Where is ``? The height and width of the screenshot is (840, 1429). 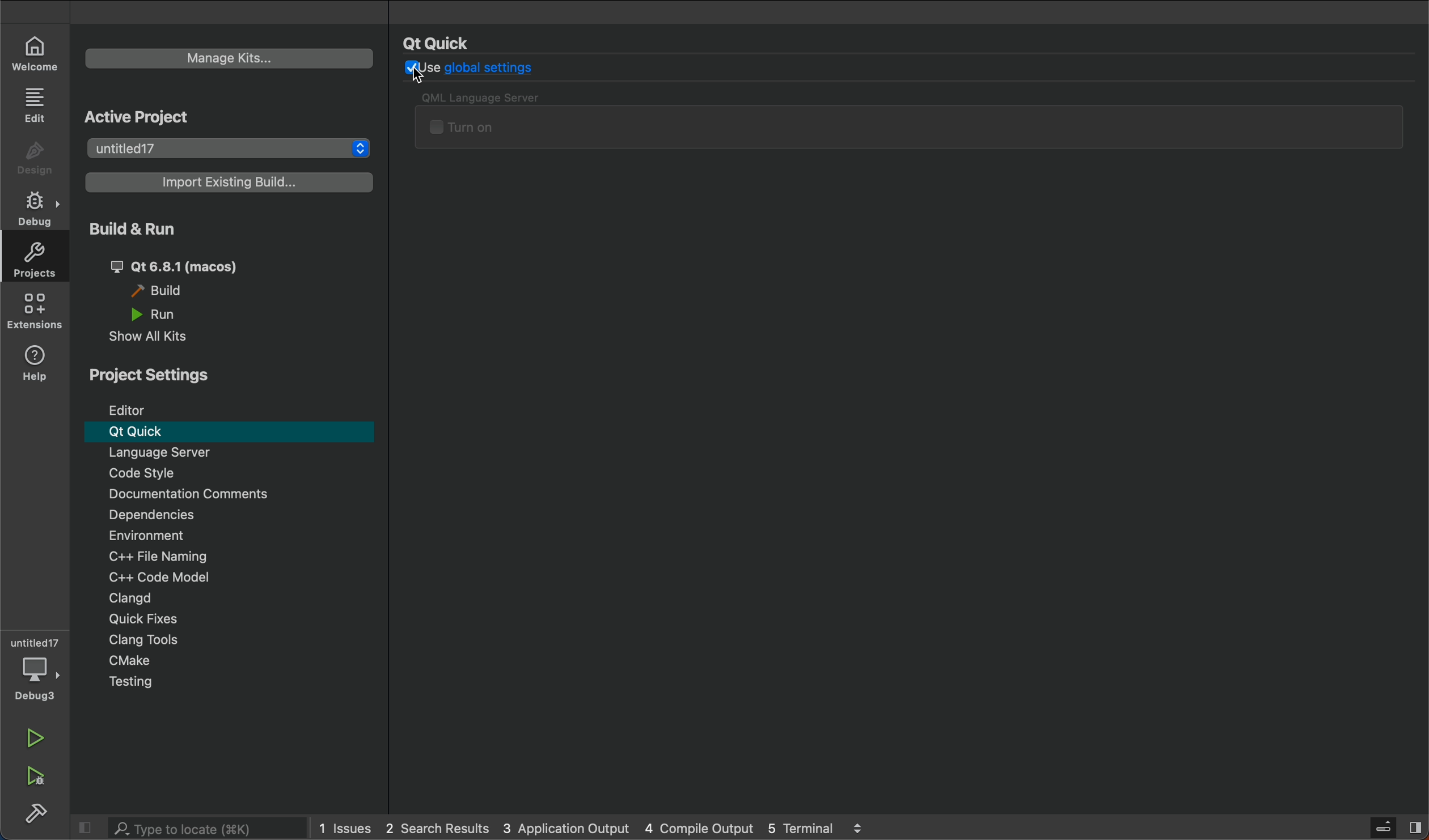
 is located at coordinates (232, 454).